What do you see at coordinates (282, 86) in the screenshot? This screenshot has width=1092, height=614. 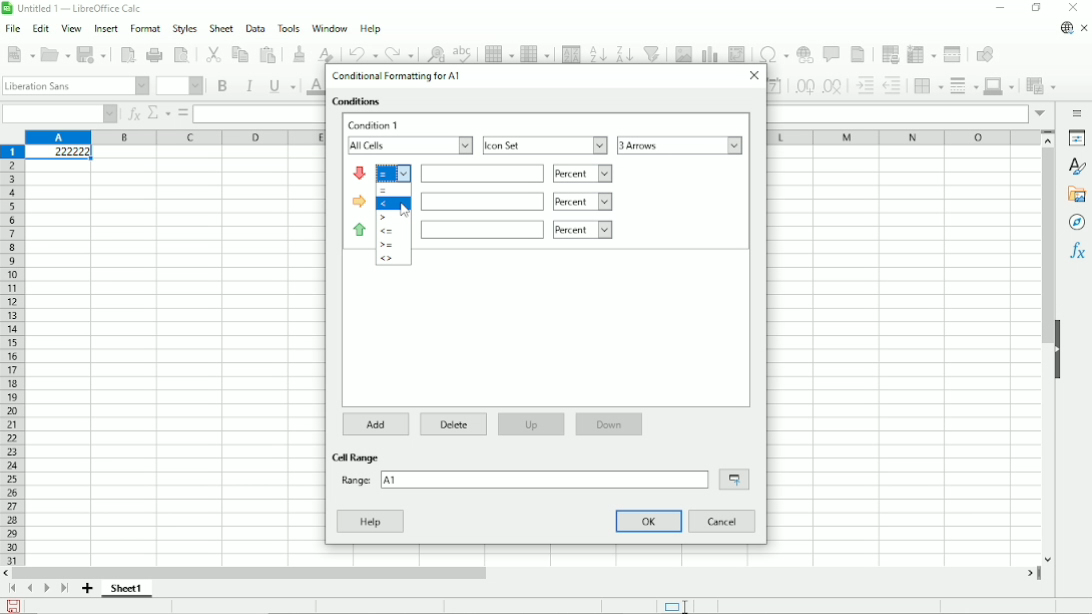 I see `Underline` at bounding box center [282, 86].